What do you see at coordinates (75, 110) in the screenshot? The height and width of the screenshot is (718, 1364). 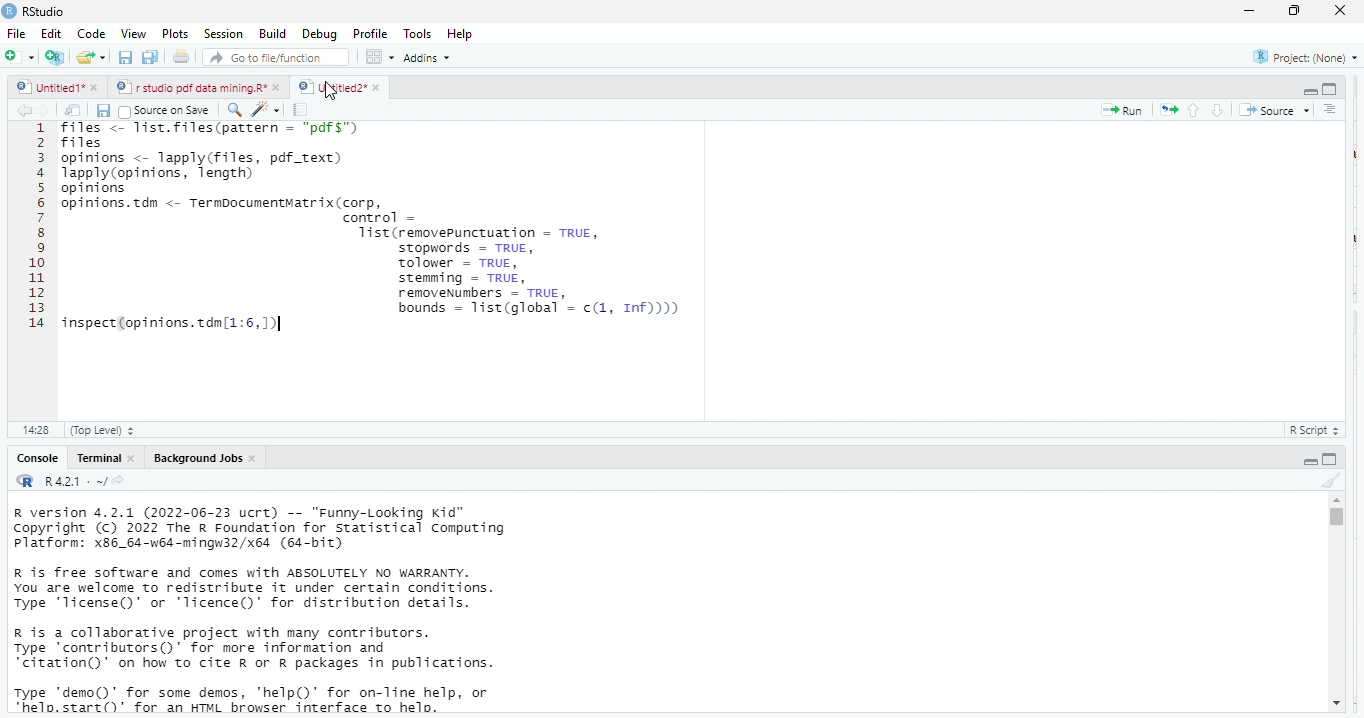 I see `show in new window` at bounding box center [75, 110].